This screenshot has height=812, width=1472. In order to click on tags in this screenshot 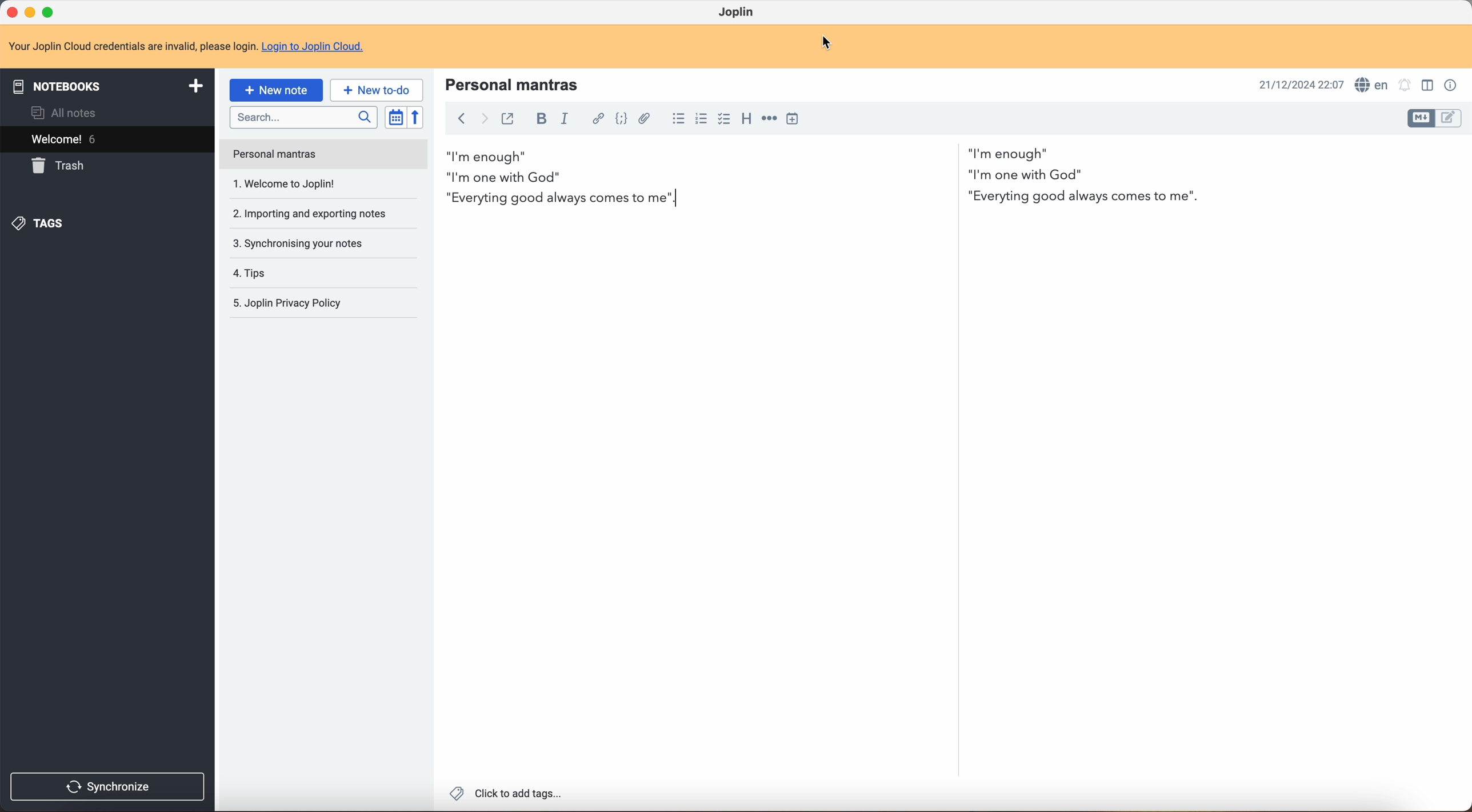, I will do `click(41, 225)`.